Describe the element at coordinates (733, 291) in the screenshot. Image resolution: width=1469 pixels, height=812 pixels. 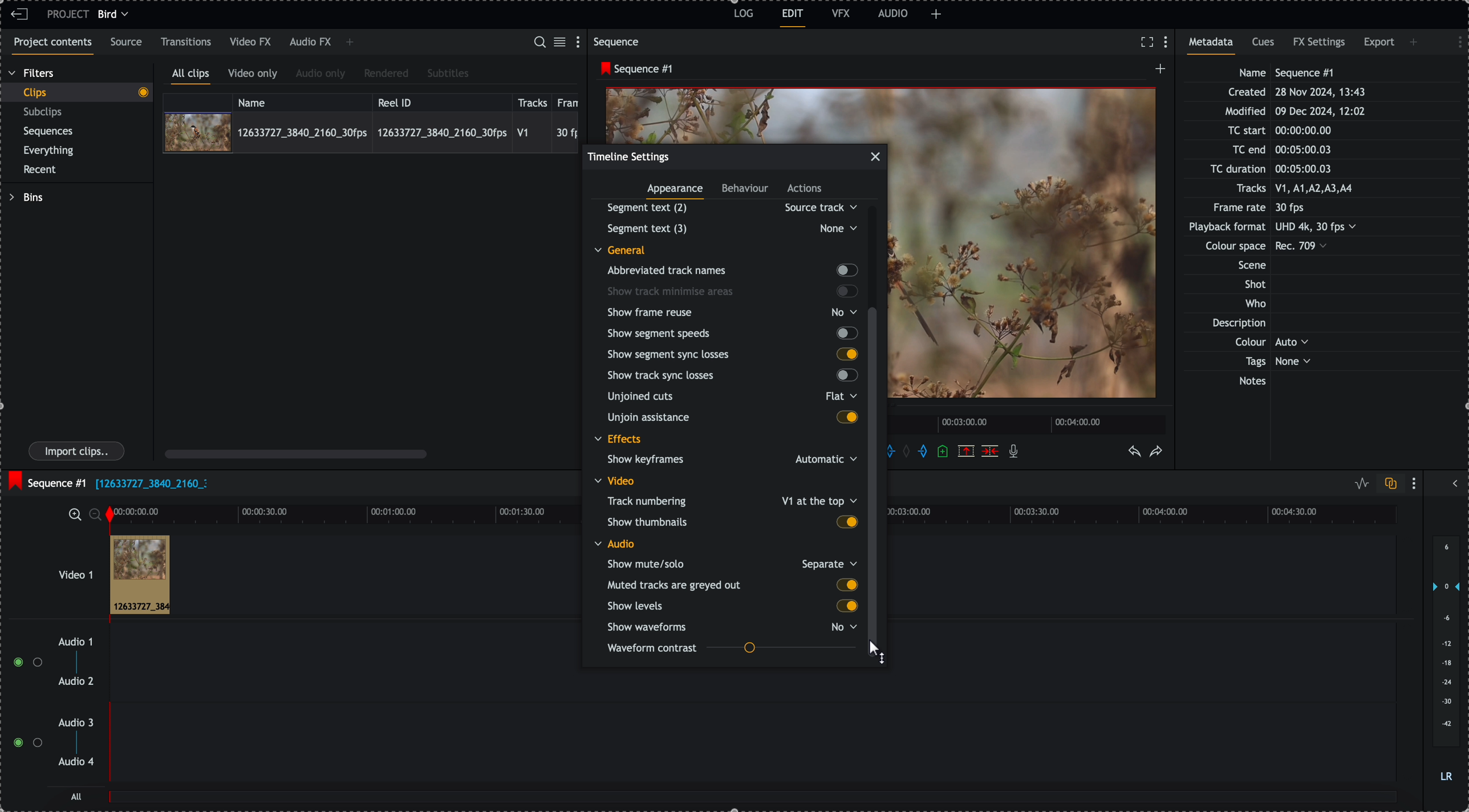
I see `show track minimise areas` at that location.